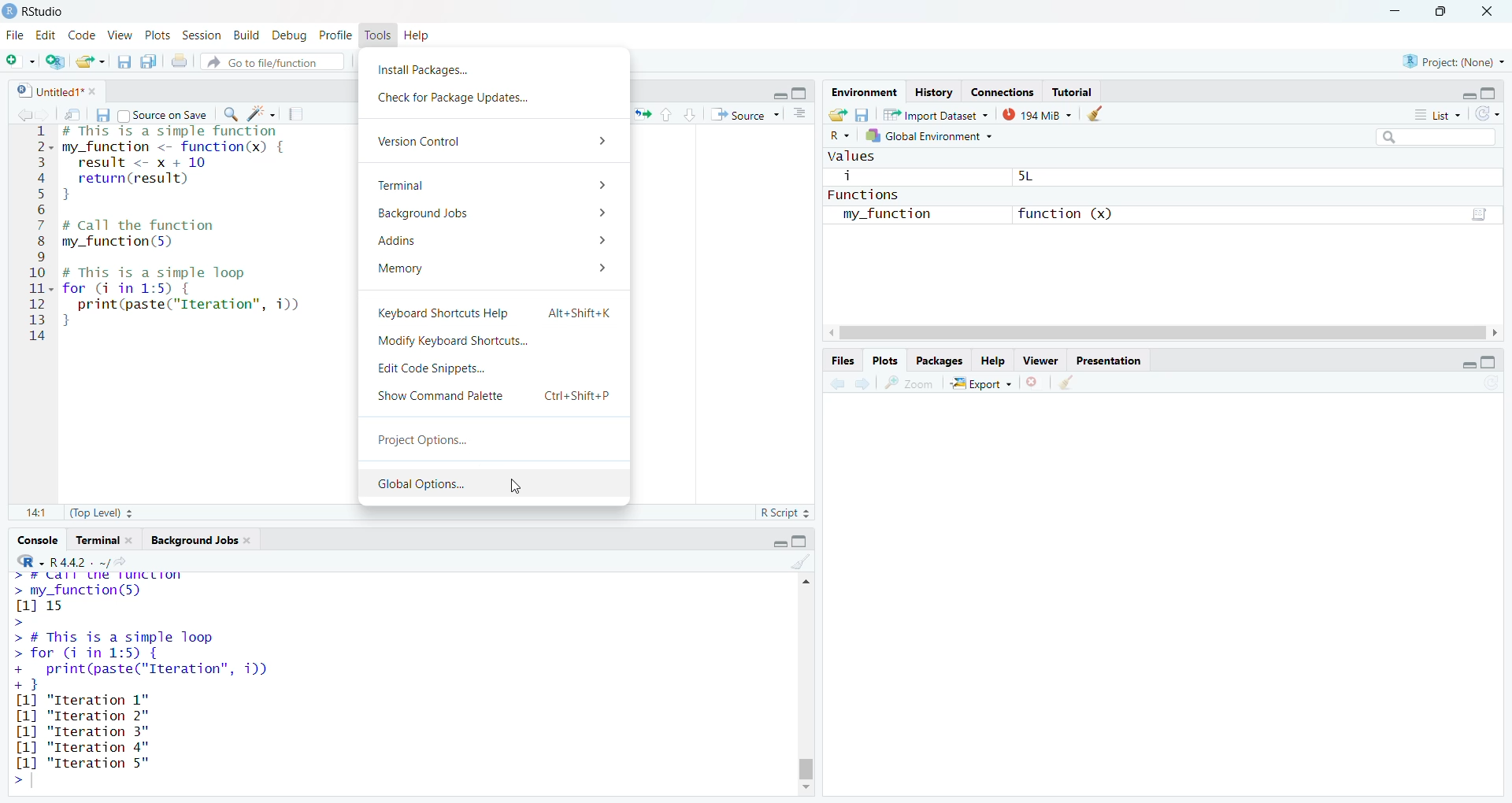 The width and height of the screenshot is (1512, 803). I want to click on list, so click(1436, 117).